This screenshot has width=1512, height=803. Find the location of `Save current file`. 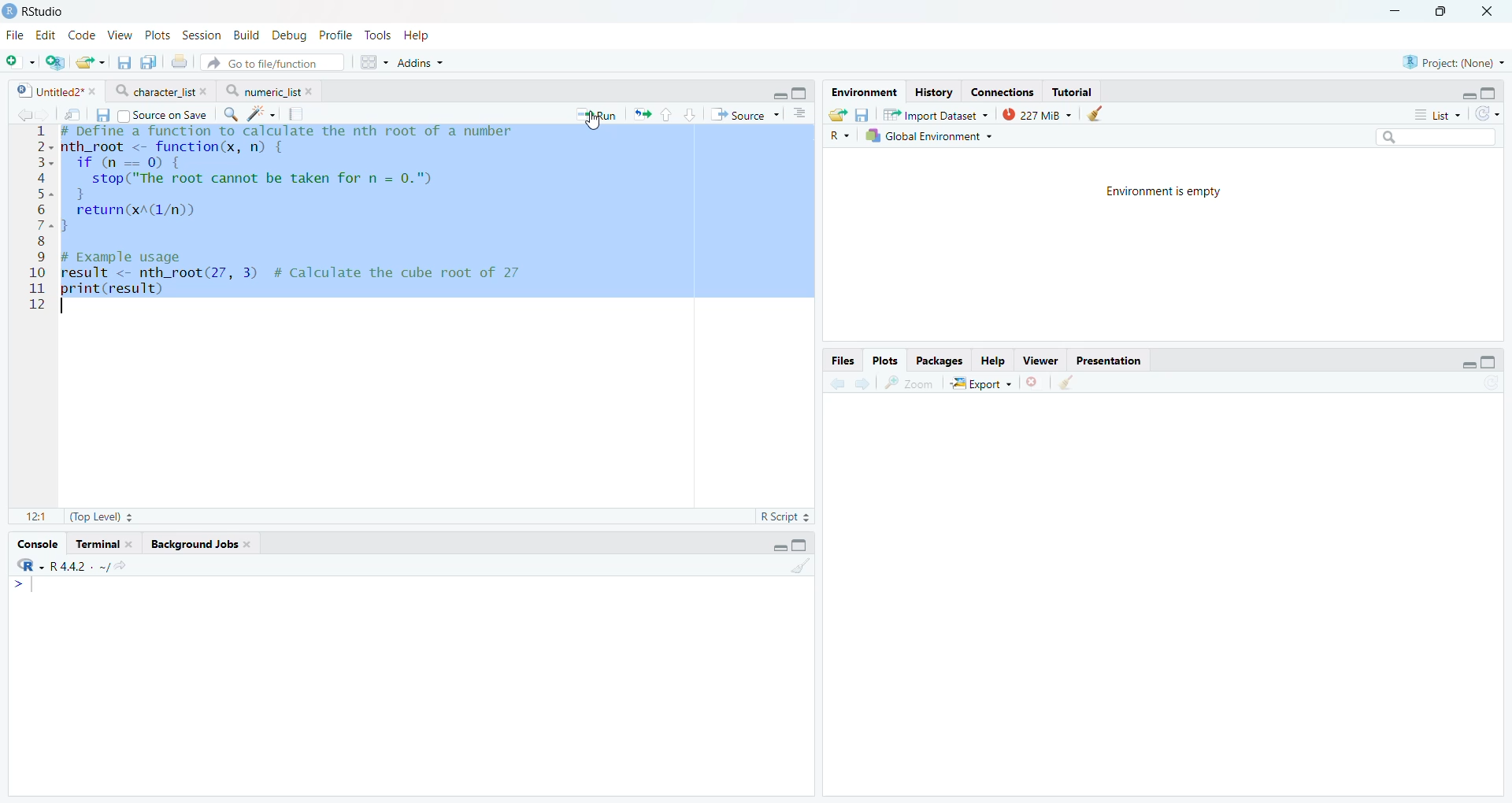

Save current file is located at coordinates (123, 63).